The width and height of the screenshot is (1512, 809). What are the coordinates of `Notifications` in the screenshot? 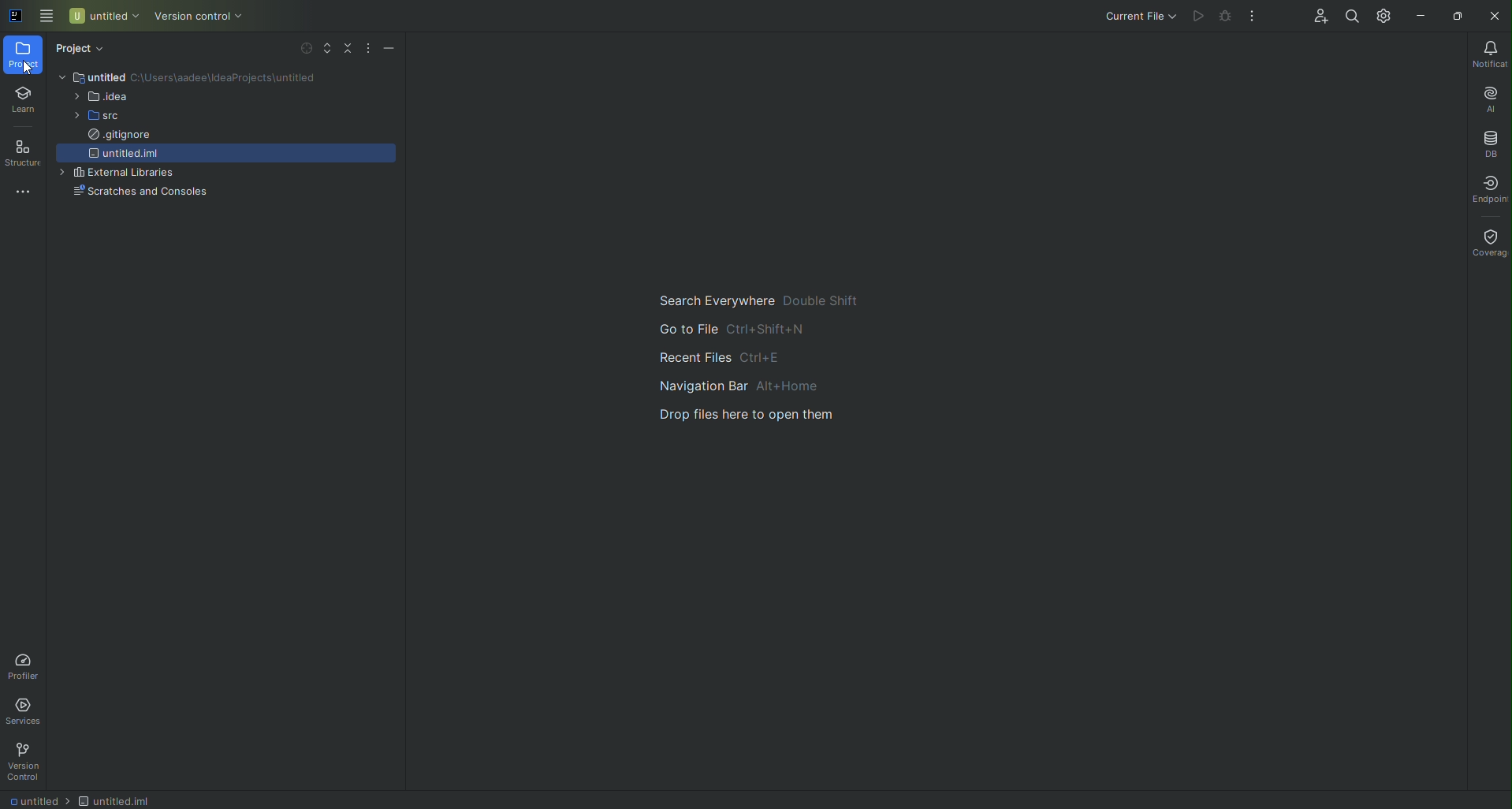 It's located at (1488, 53).